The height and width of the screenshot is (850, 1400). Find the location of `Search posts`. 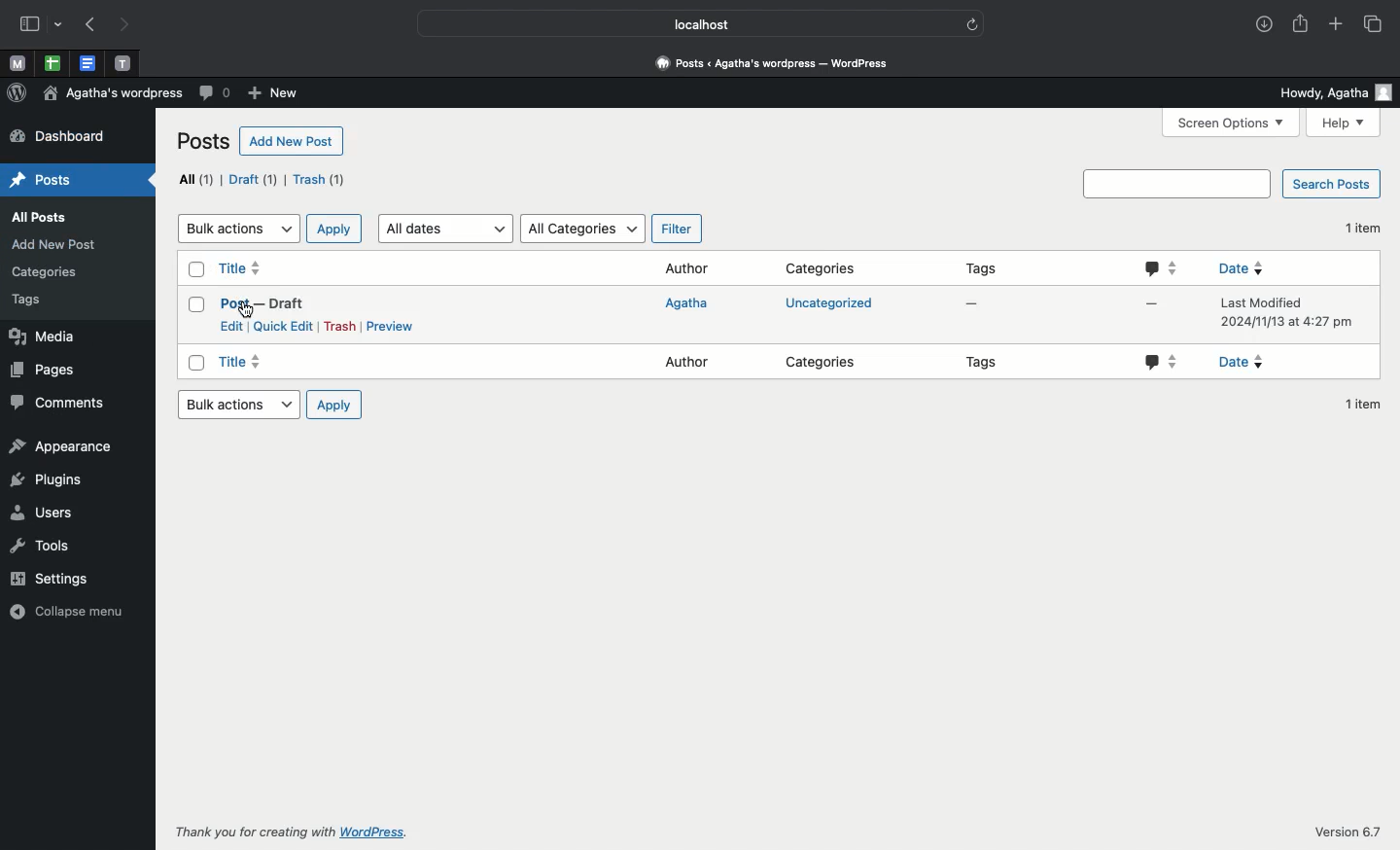

Search posts is located at coordinates (1330, 184).